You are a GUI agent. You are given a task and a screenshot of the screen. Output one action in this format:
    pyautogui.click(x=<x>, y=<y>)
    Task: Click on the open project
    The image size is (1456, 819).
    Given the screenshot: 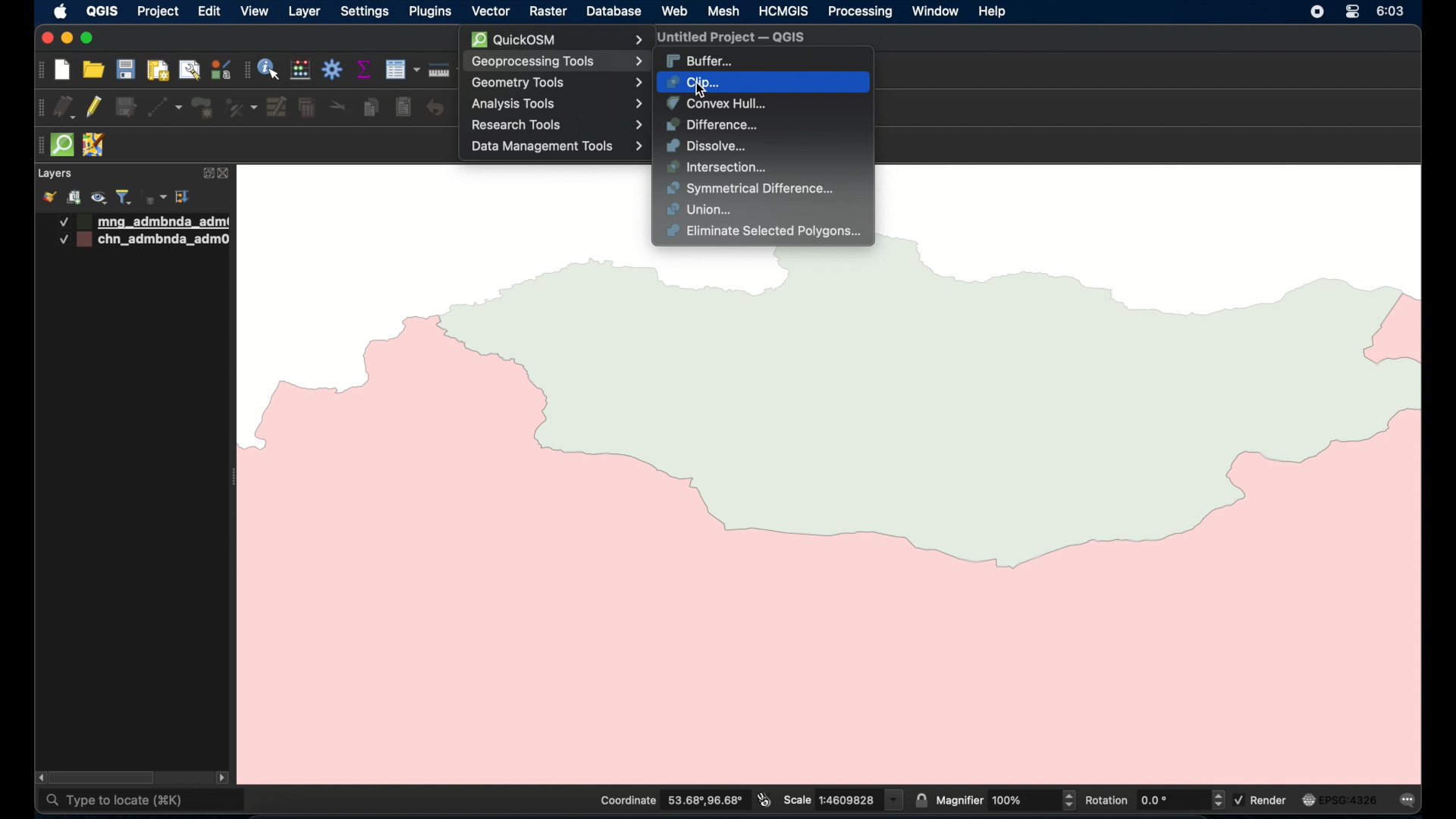 What is the action you would take?
    pyautogui.click(x=92, y=69)
    